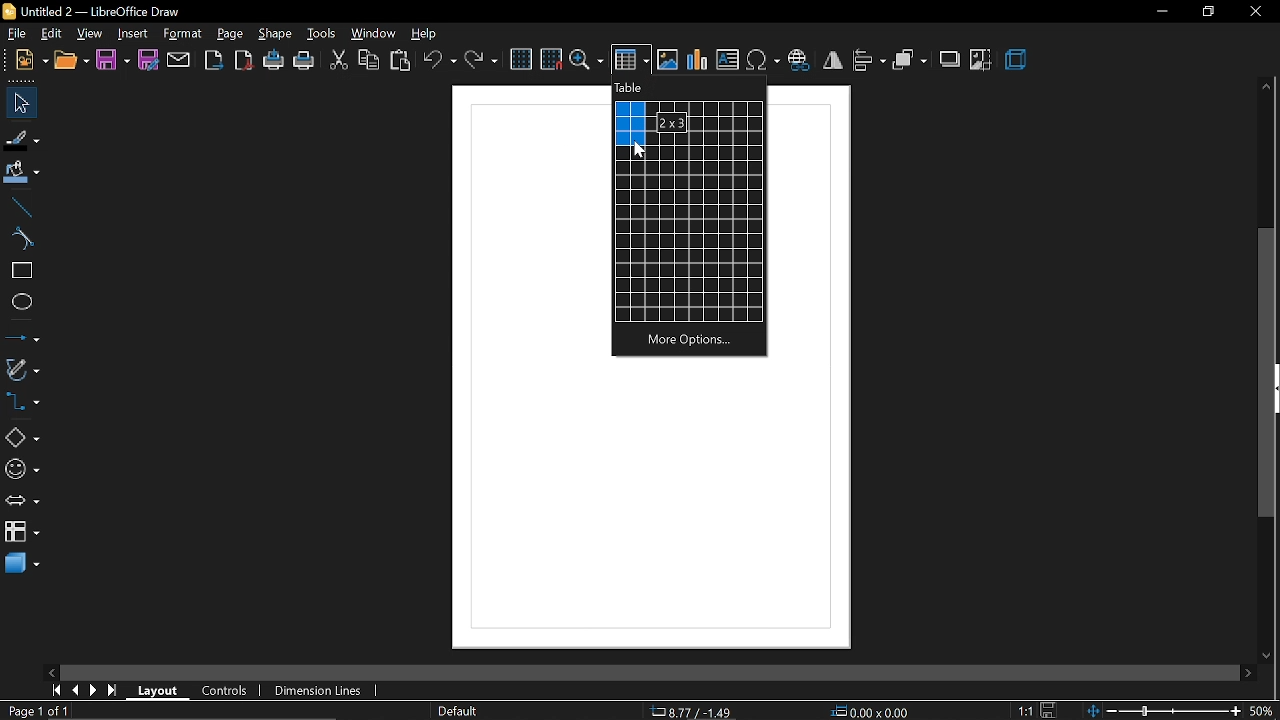  I want to click on arrows, so click(21, 502).